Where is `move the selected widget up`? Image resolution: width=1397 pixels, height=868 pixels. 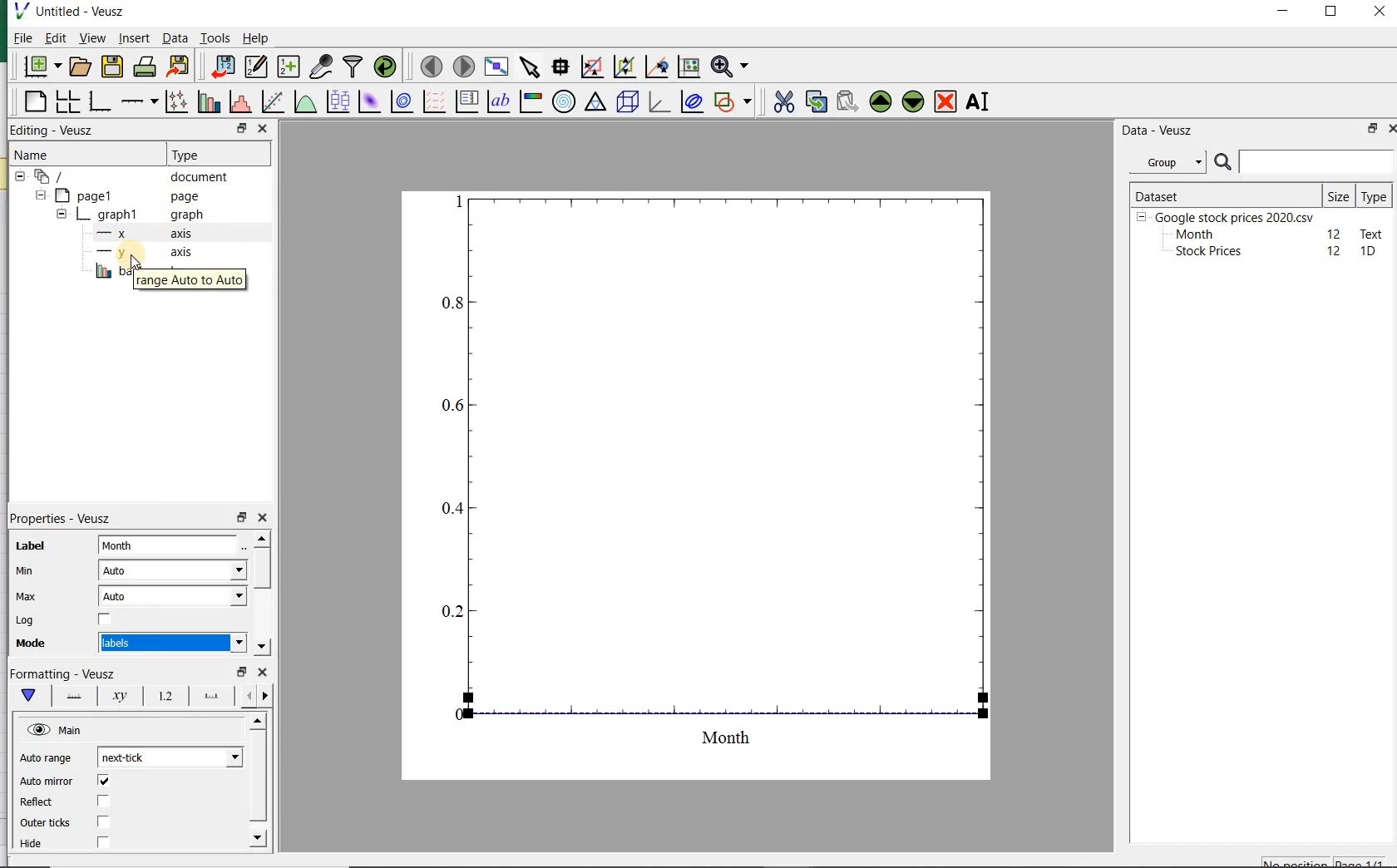
move the selected widget up is located at coordinates (881, 101).